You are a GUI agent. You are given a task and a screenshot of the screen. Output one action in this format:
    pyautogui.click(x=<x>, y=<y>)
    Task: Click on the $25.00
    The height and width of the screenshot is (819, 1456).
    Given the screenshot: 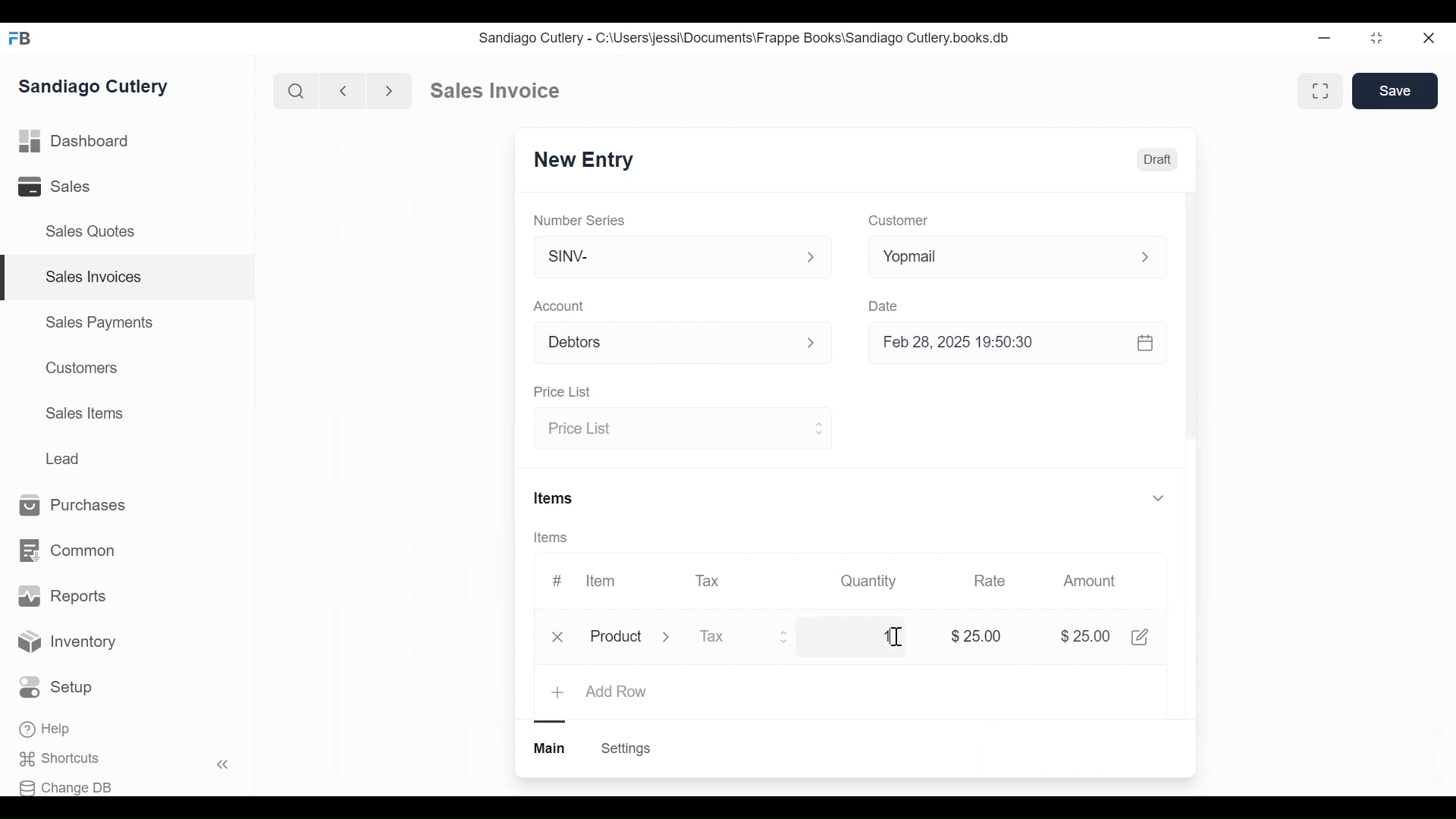 What is the action you would take?
    pyautogui.click(x=980, y=634)
    